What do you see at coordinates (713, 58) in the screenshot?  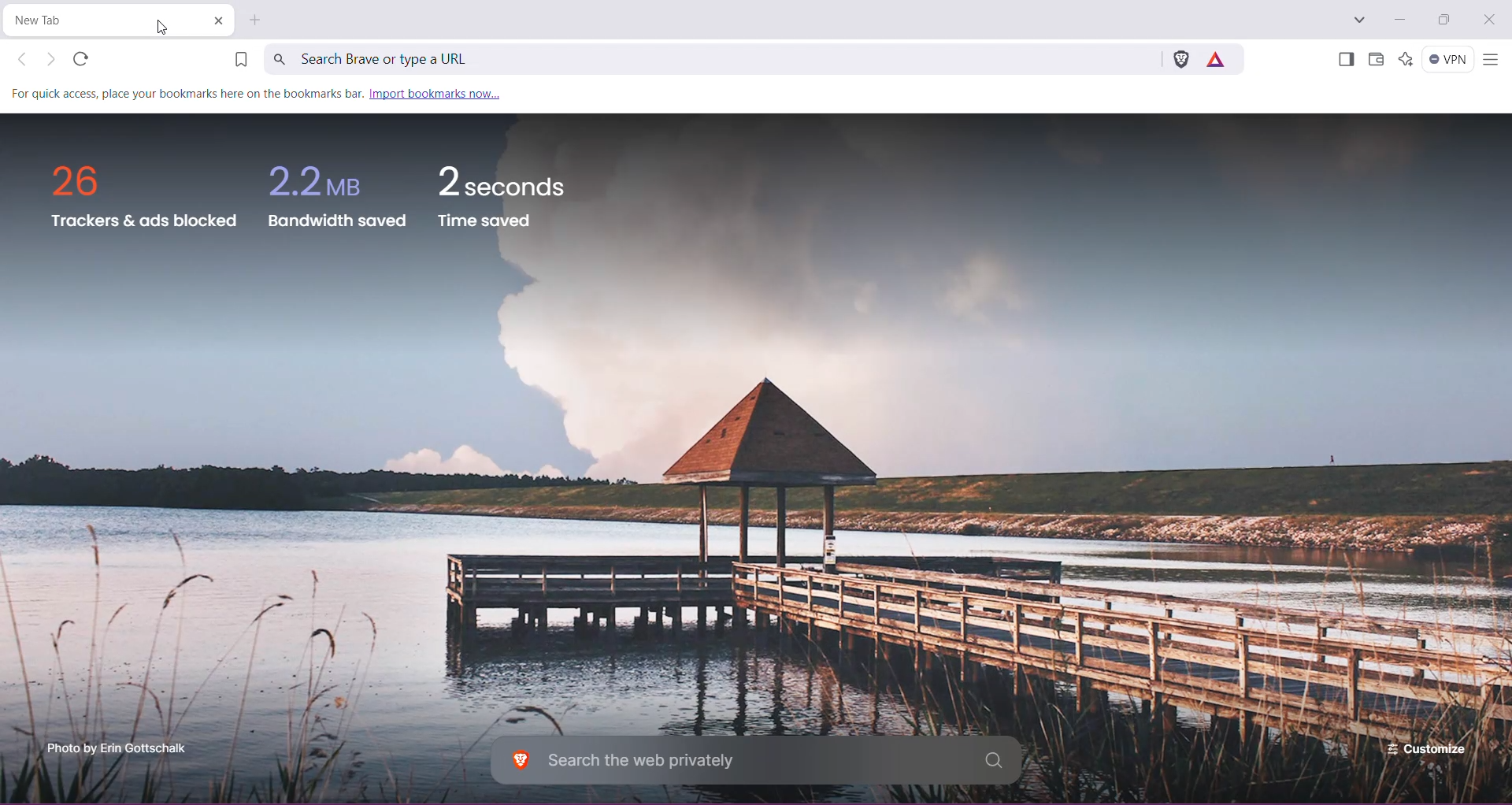 I see `Search Brave or type a URL` at bounding box center [713, 58].